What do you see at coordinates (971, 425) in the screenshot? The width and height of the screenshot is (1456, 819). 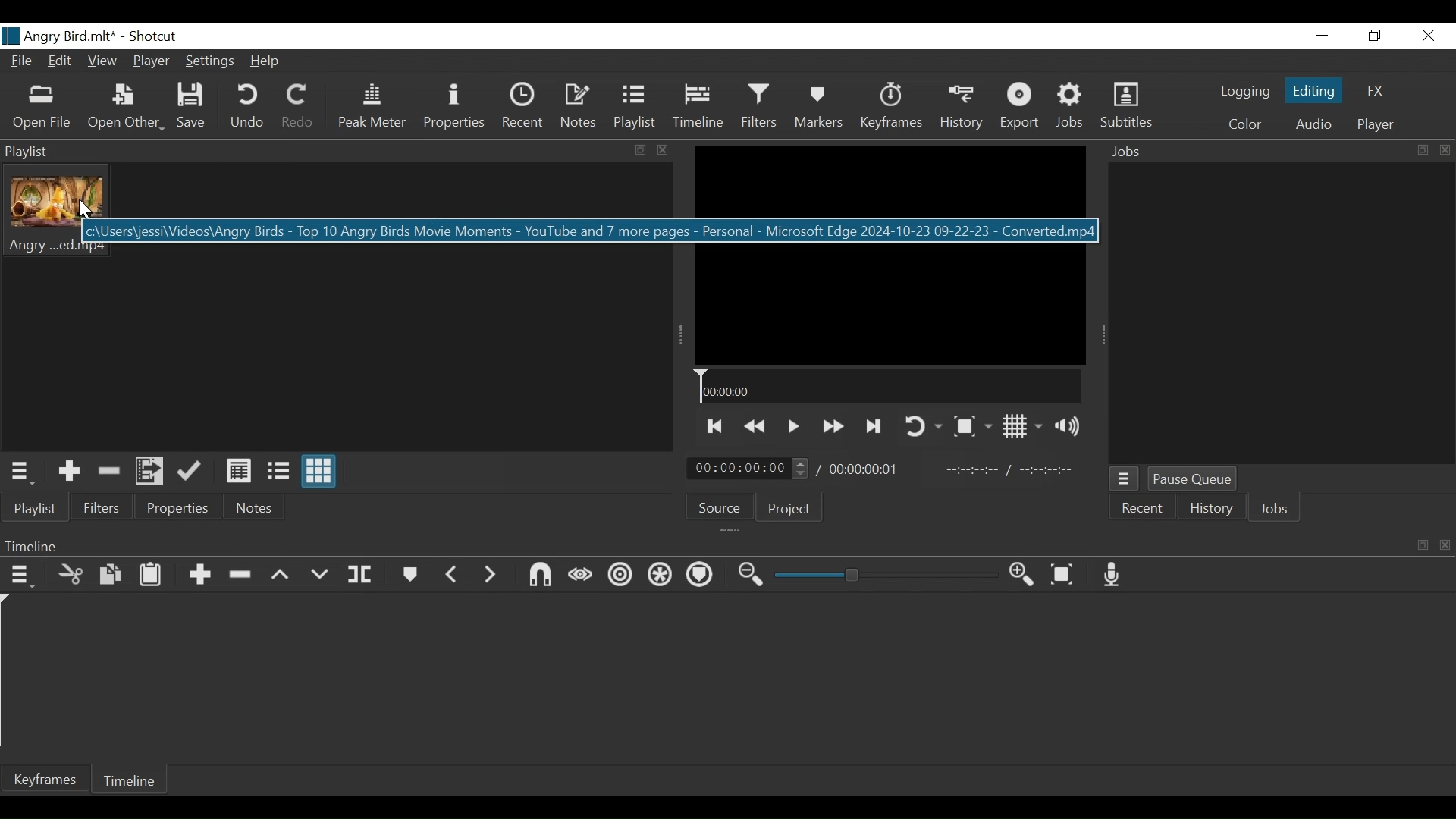 I see `Toggle Zoom` at bounding box center [971, 425].